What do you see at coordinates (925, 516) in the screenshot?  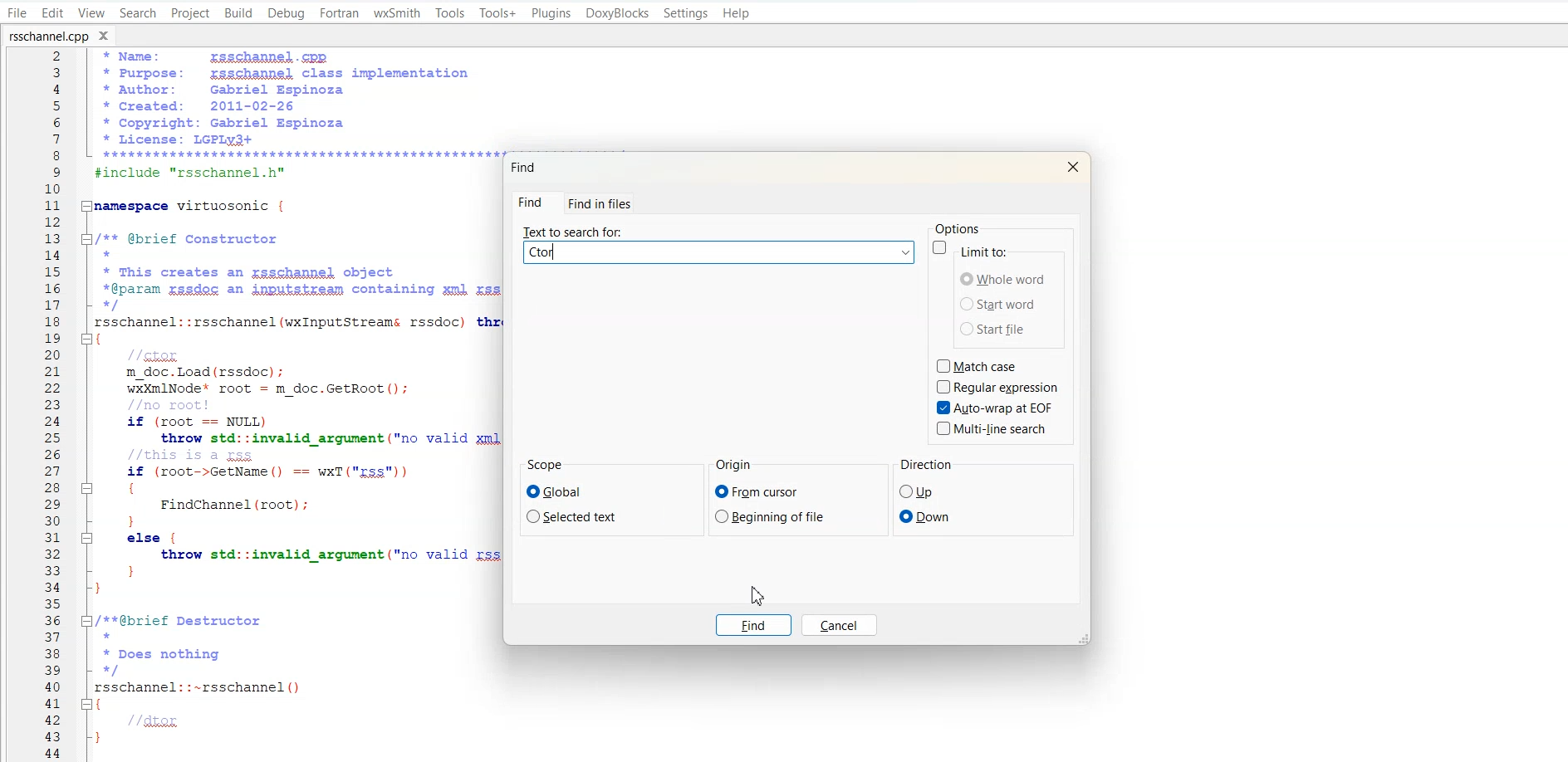 I see `Down` at bounding box center [925, 516].